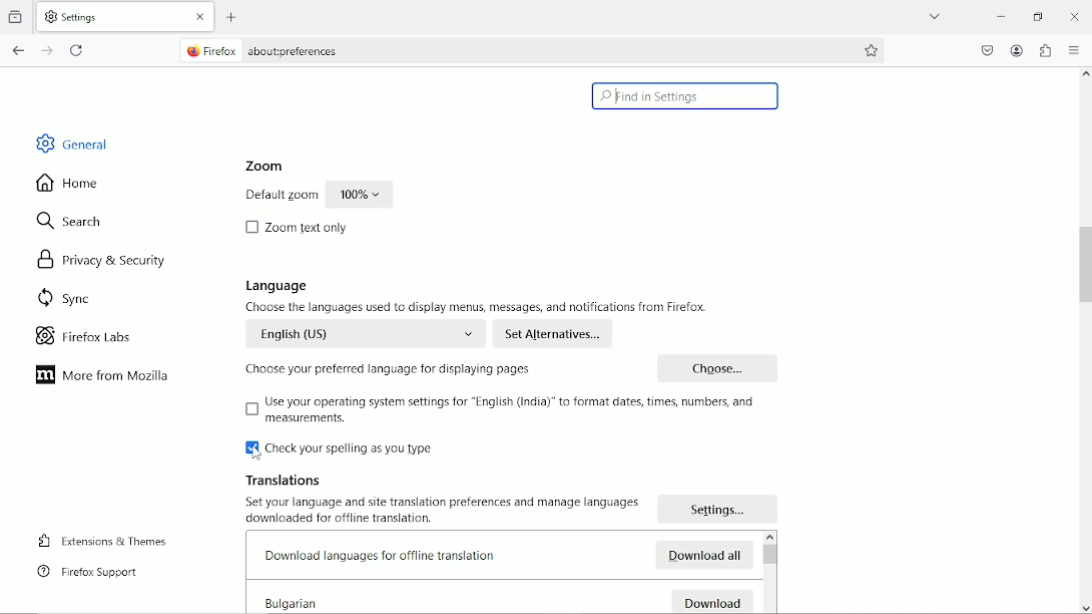 The image size is (1092, 614). What do you see at coordinates (1038, 16) in the screenshot?
I see `restore down` at bounding box center [1038, 16].